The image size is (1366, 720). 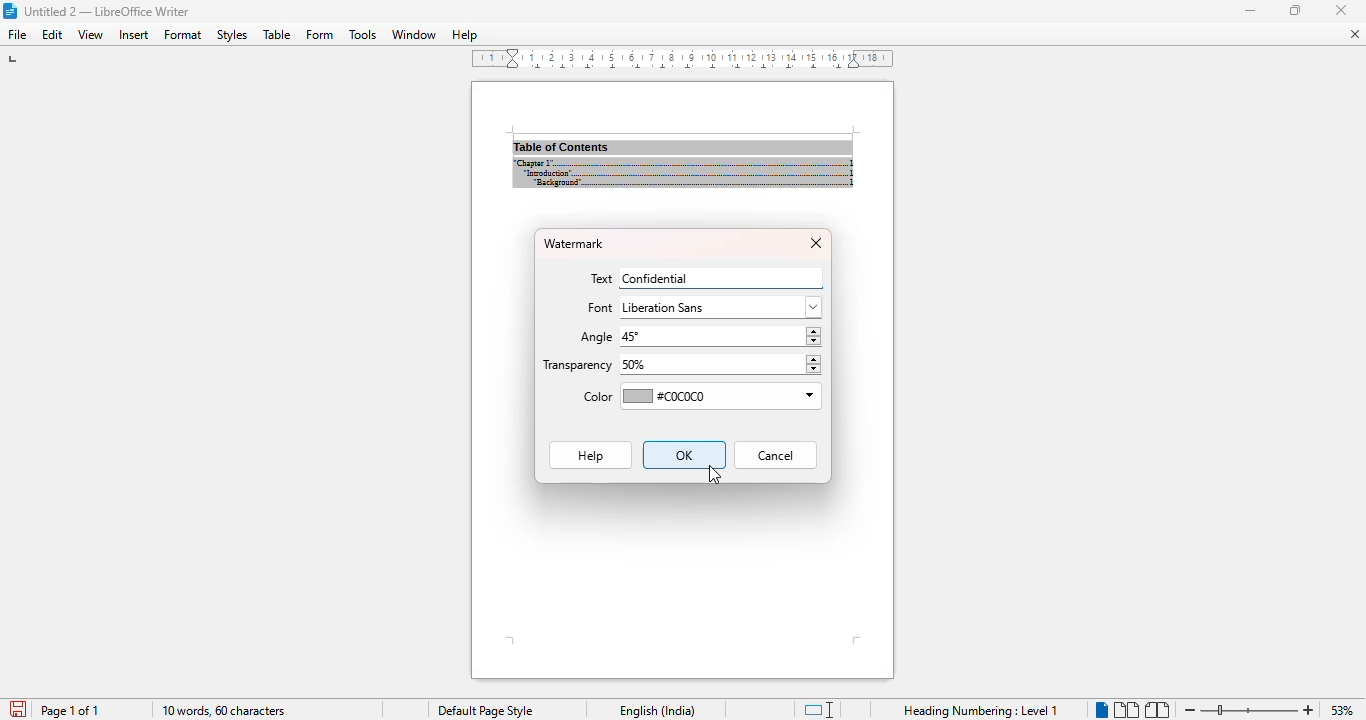 I want to click on OK, so click(x=684, y=454).